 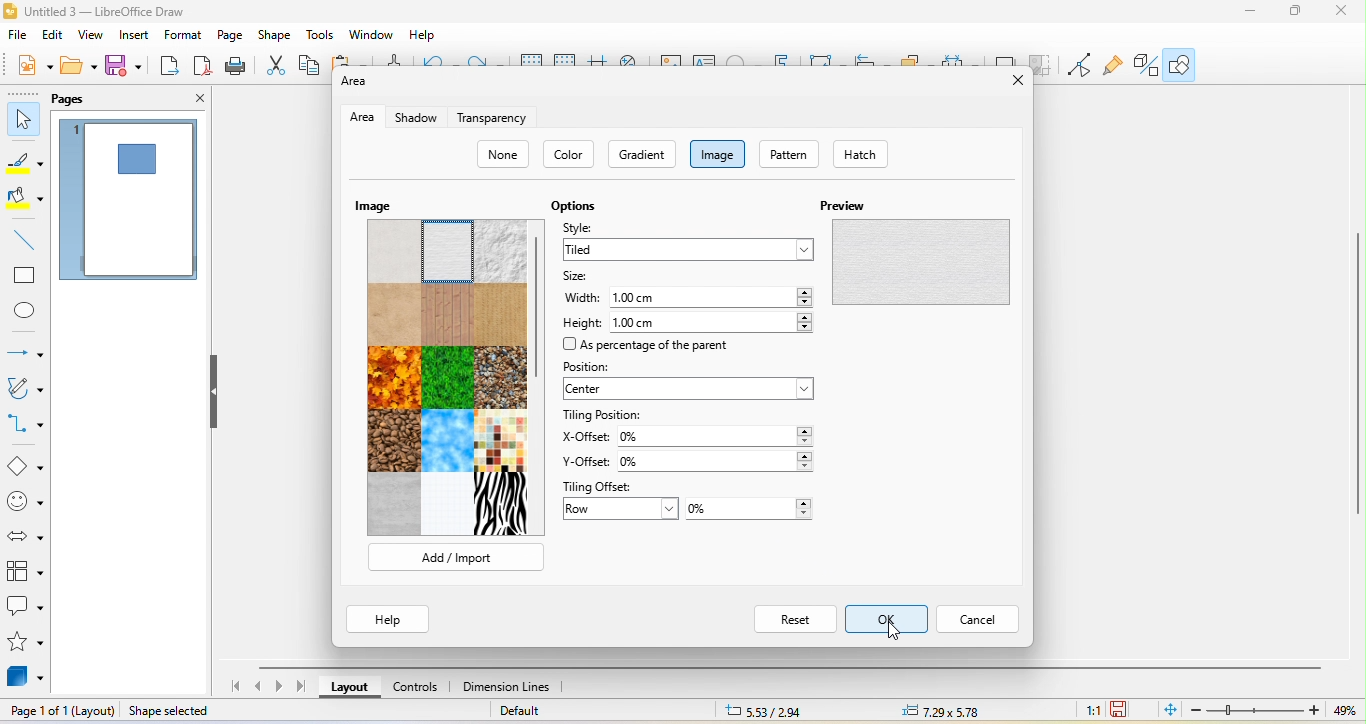 What do you see at coordinates (274, 66) in the screenshot?
I see `cut` at bounding box center [274, 66].